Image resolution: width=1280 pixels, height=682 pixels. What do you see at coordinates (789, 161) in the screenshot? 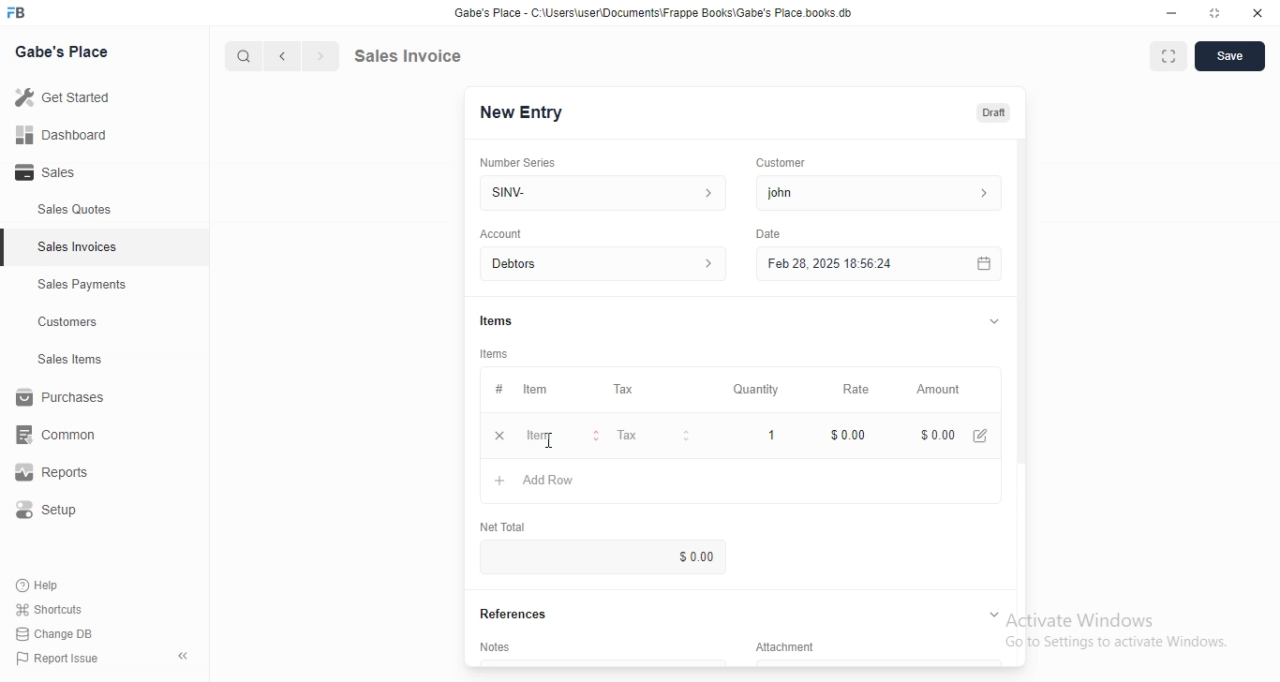
I see `Customer` at bounding box center [789, 161].